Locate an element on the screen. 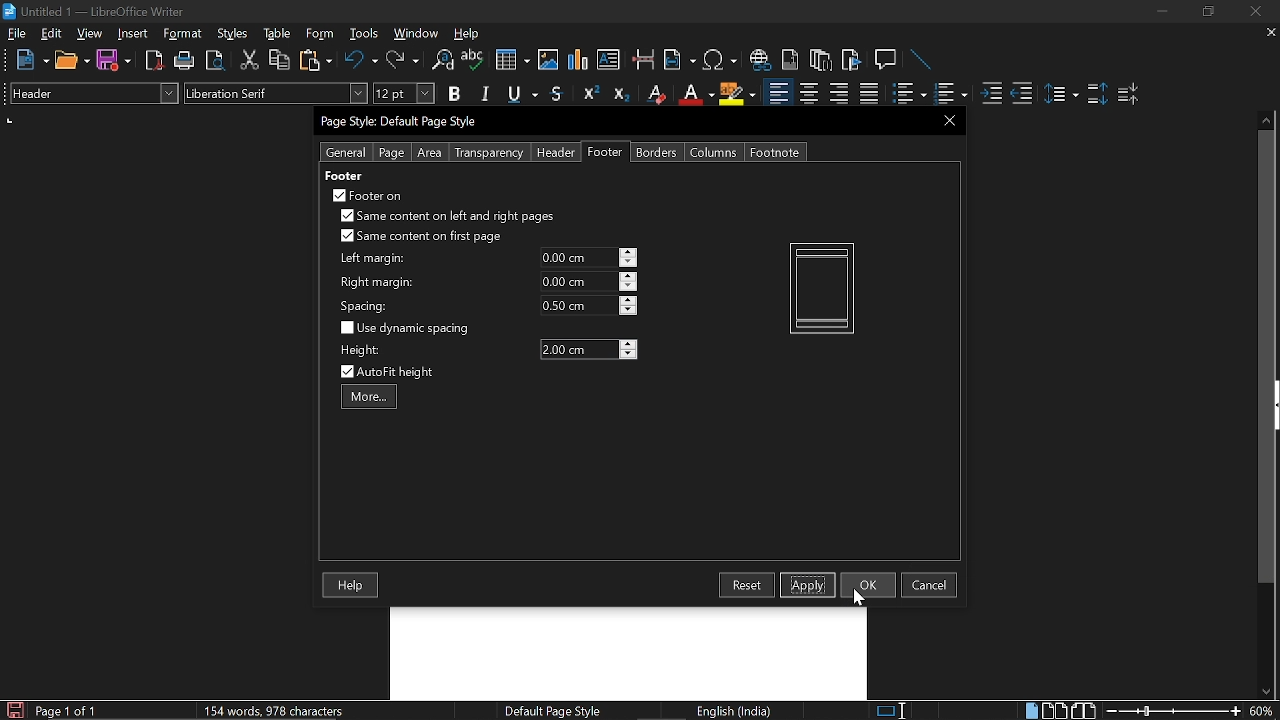  Styles is located at coordinates (233, 34).